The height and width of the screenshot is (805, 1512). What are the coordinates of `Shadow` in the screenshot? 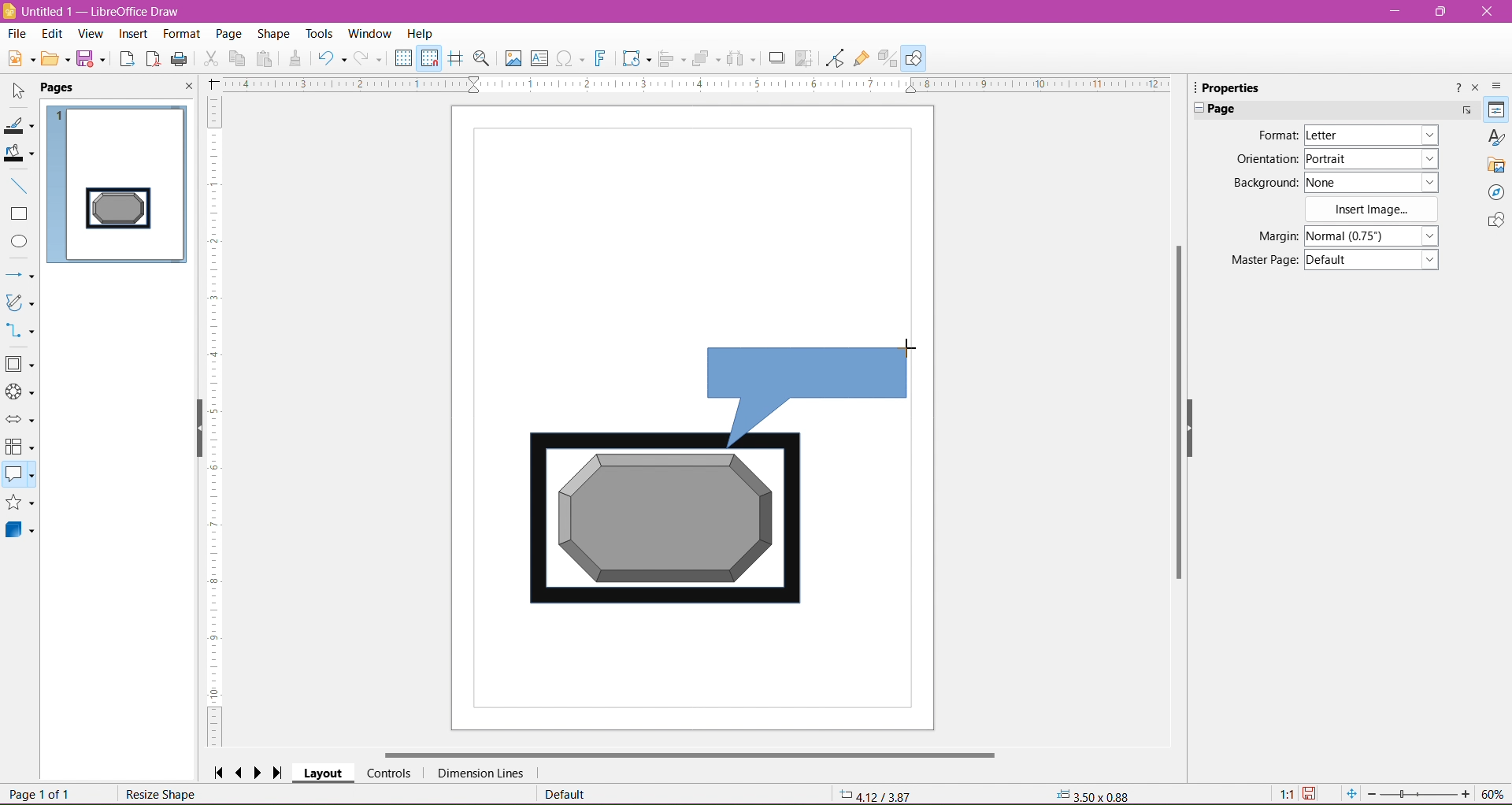 It's located at (774, 58).